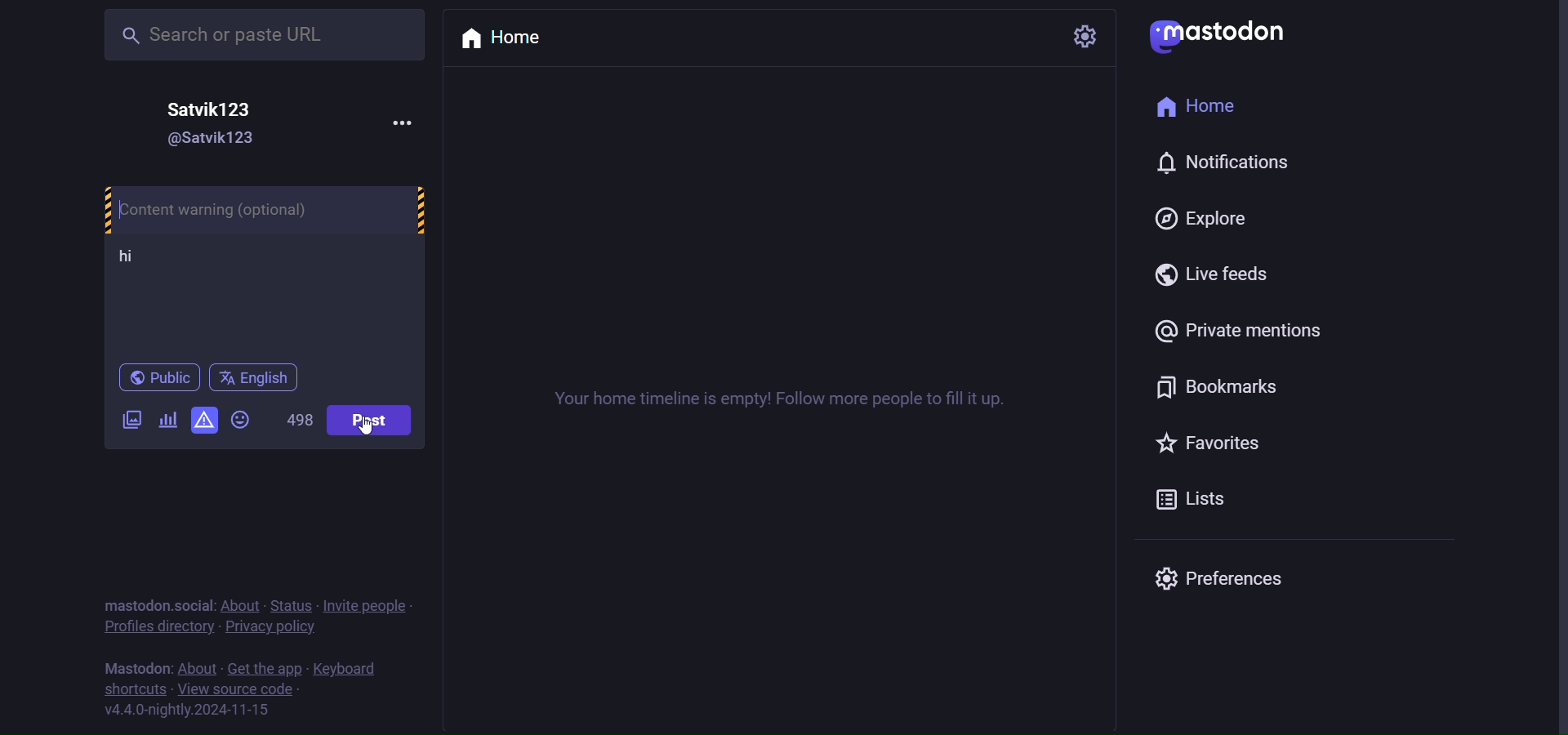 The height and width of the screenshot is (735, 1568). What do you see at coordinates (1213, 444) in the screenshot?
I see `favorites` at bounding box center [1213, 444].